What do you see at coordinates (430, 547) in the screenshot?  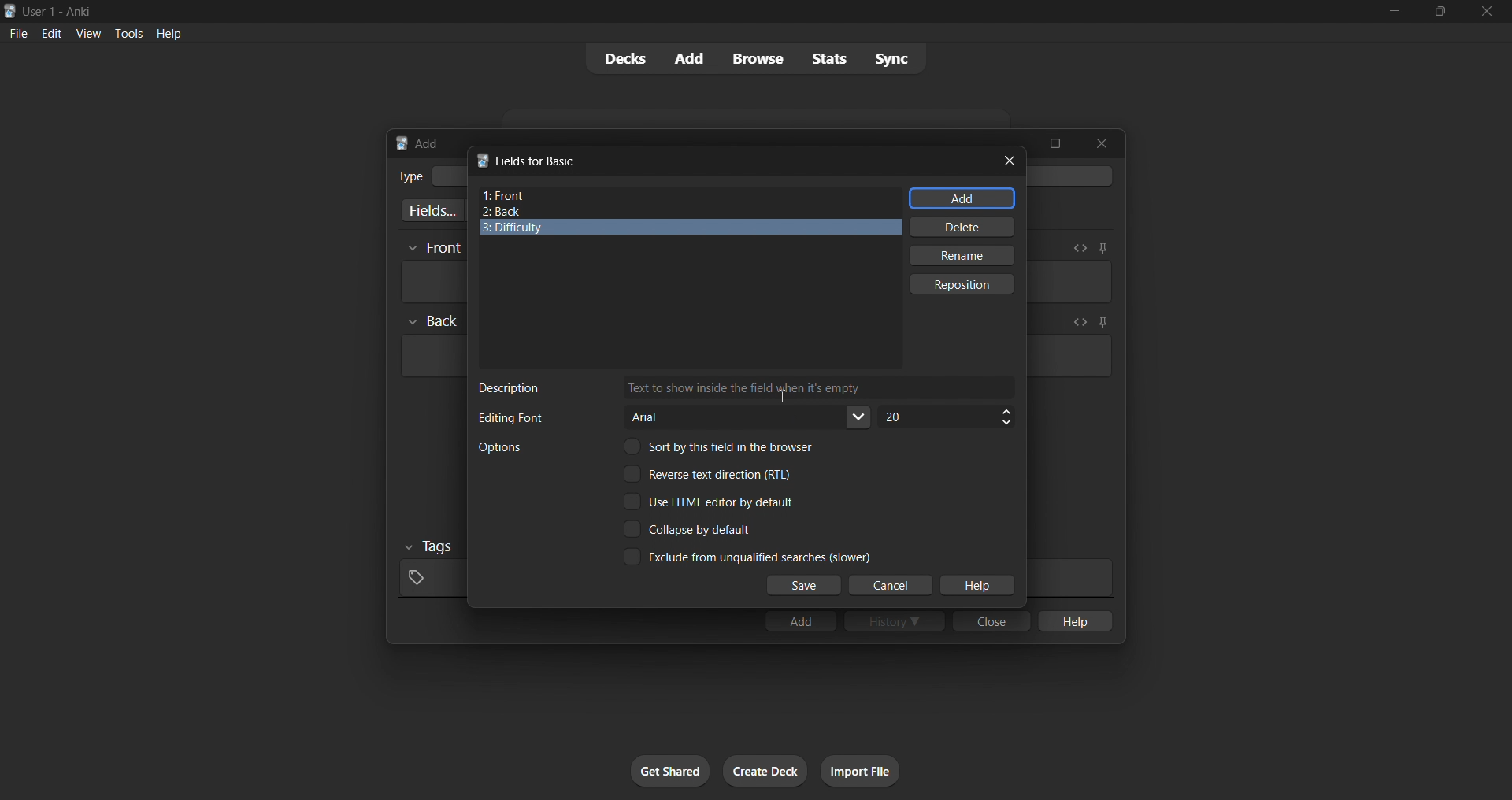 I see `` at bounding box center [430, 547].